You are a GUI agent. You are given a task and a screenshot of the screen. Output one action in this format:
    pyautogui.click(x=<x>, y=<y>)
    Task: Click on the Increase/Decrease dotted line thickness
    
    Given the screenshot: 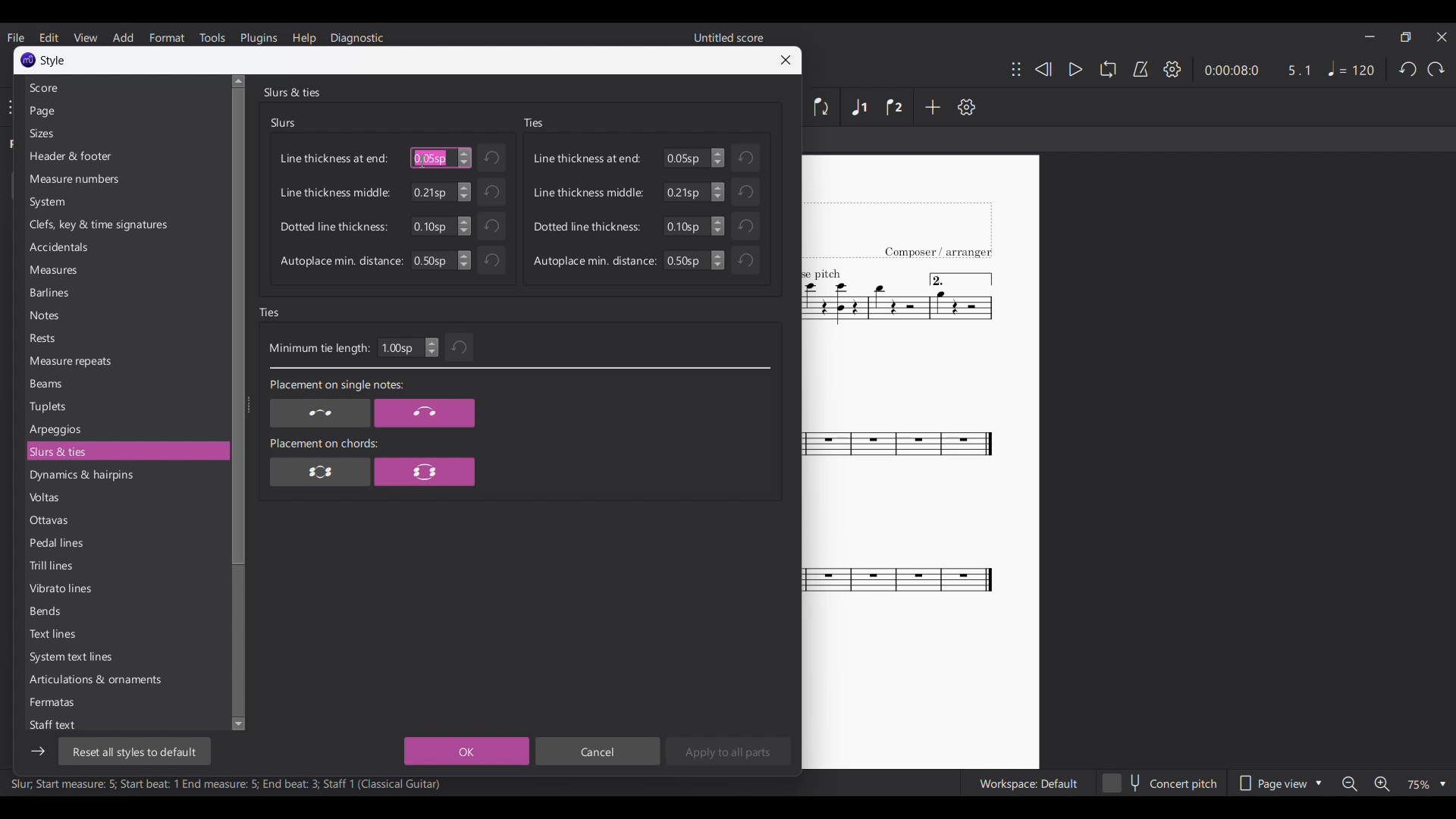 What is the action you would take?
    pyautogui.click(x=464, y=226)
    